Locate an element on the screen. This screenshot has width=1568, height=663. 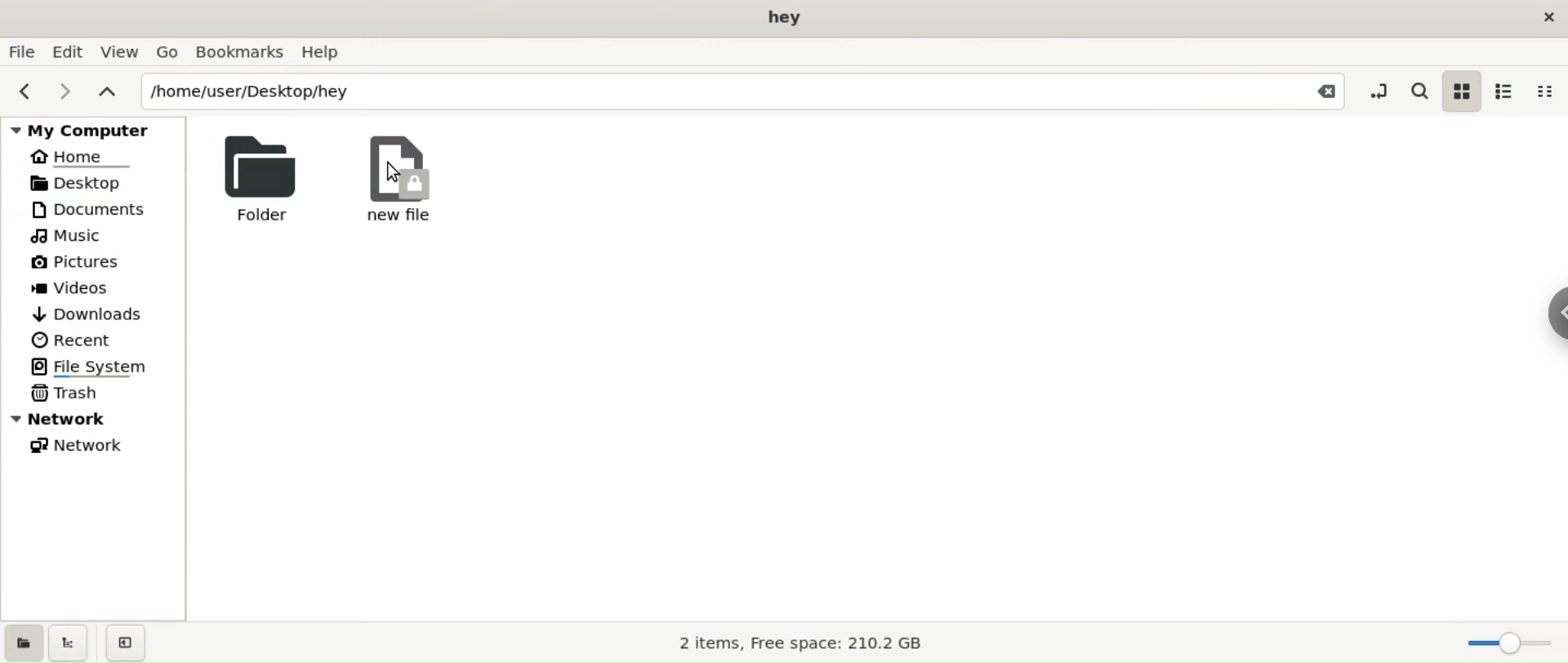
toggle location entry is located at coordinates (1382, 90).